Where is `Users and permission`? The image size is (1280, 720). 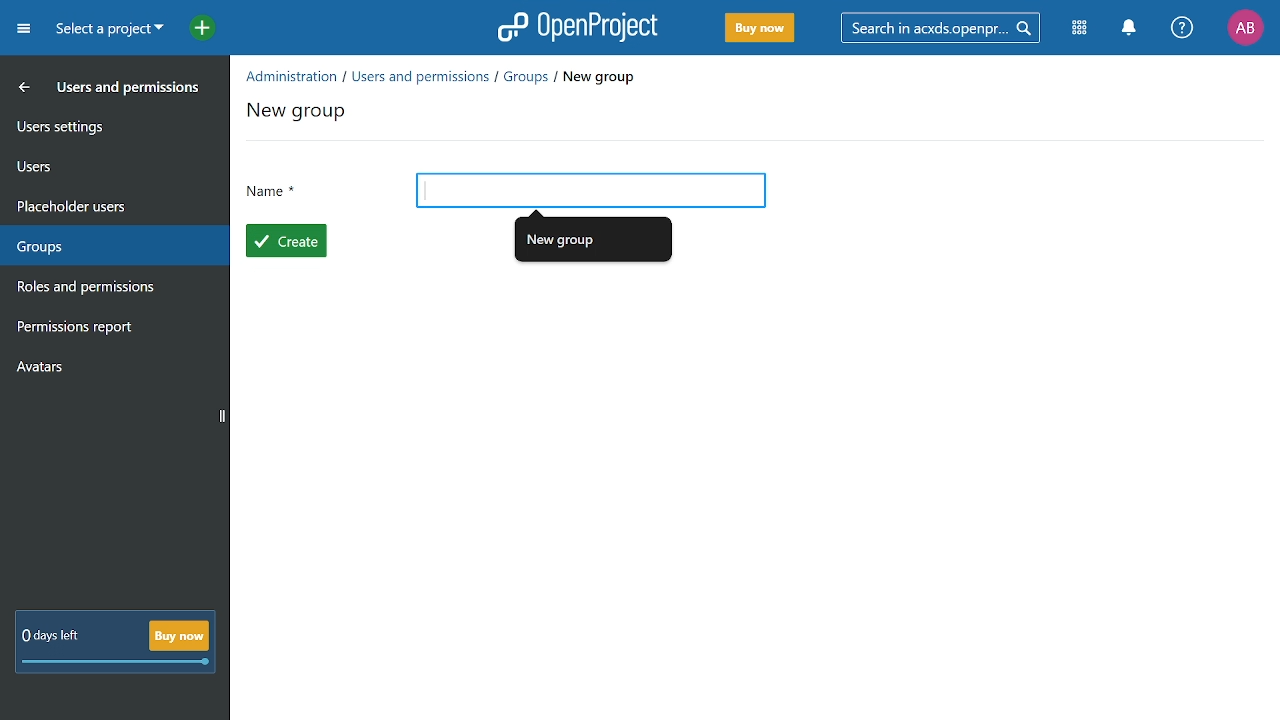
Users and permission is located at coordinates (99, 89).